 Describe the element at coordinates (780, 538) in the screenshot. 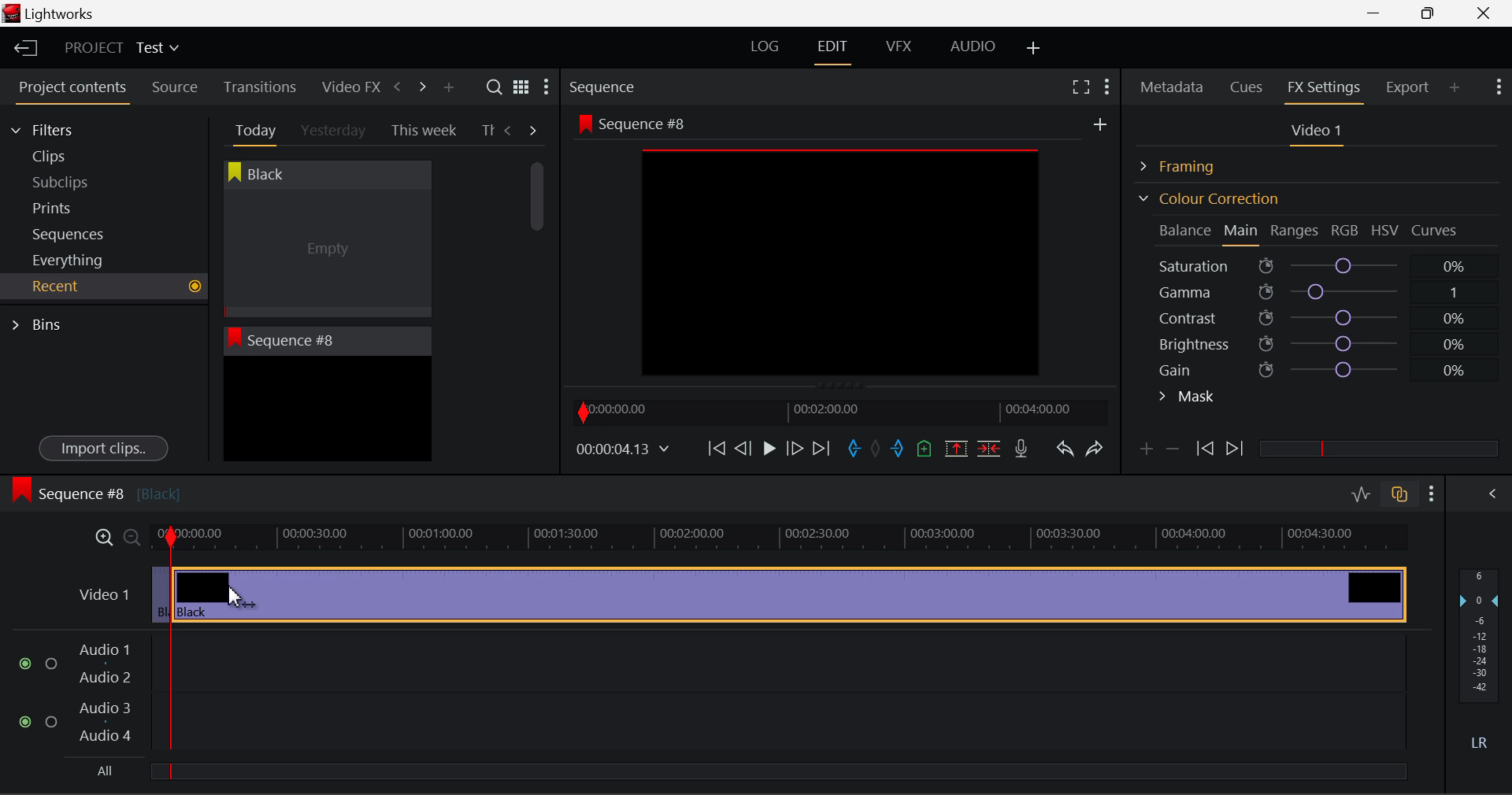

I see `Project Timeline` at that location.